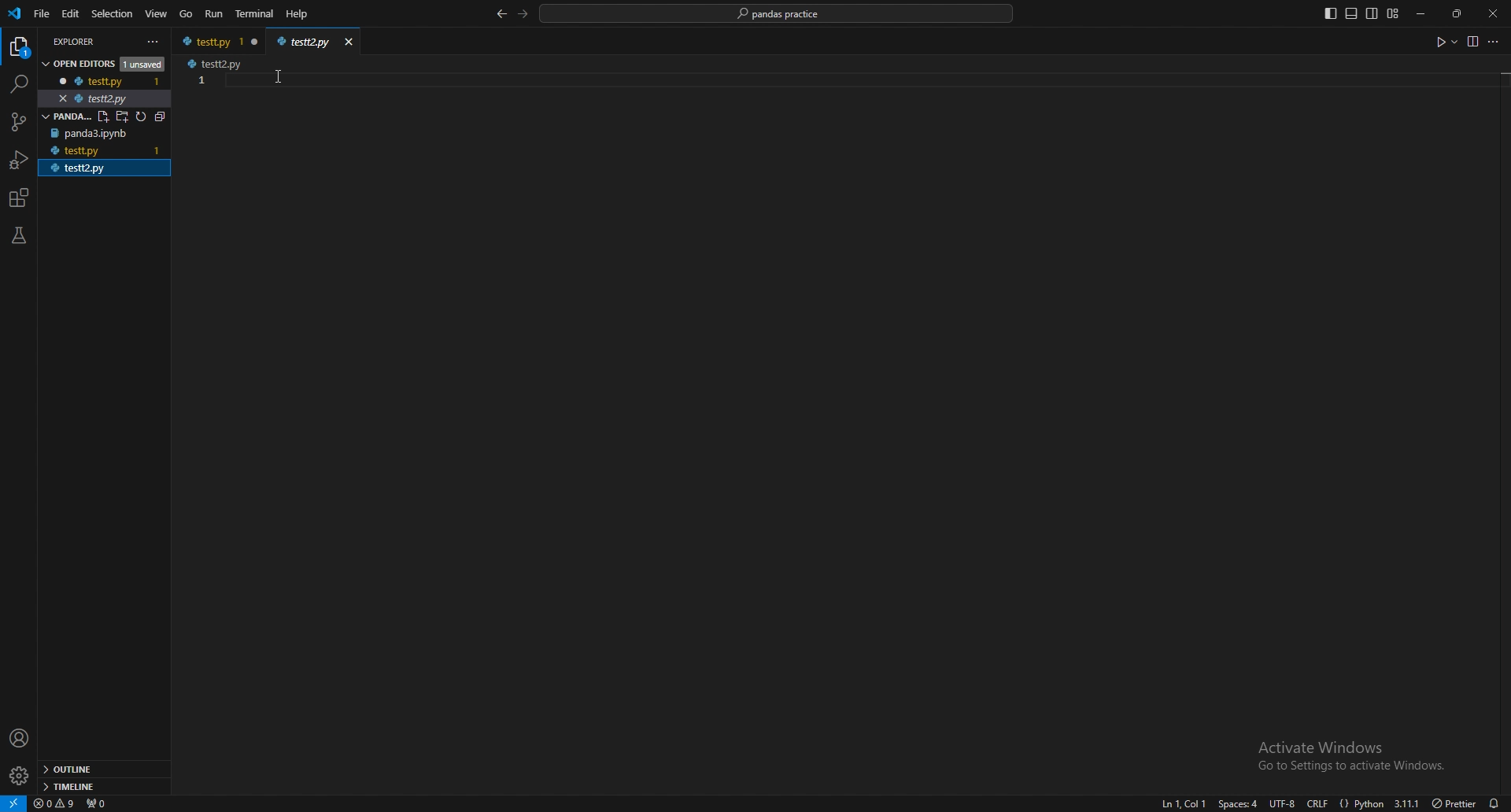 Image resolution: width=1511 pixels, height=812 pixels. I want to click on run, so click(216, 14).